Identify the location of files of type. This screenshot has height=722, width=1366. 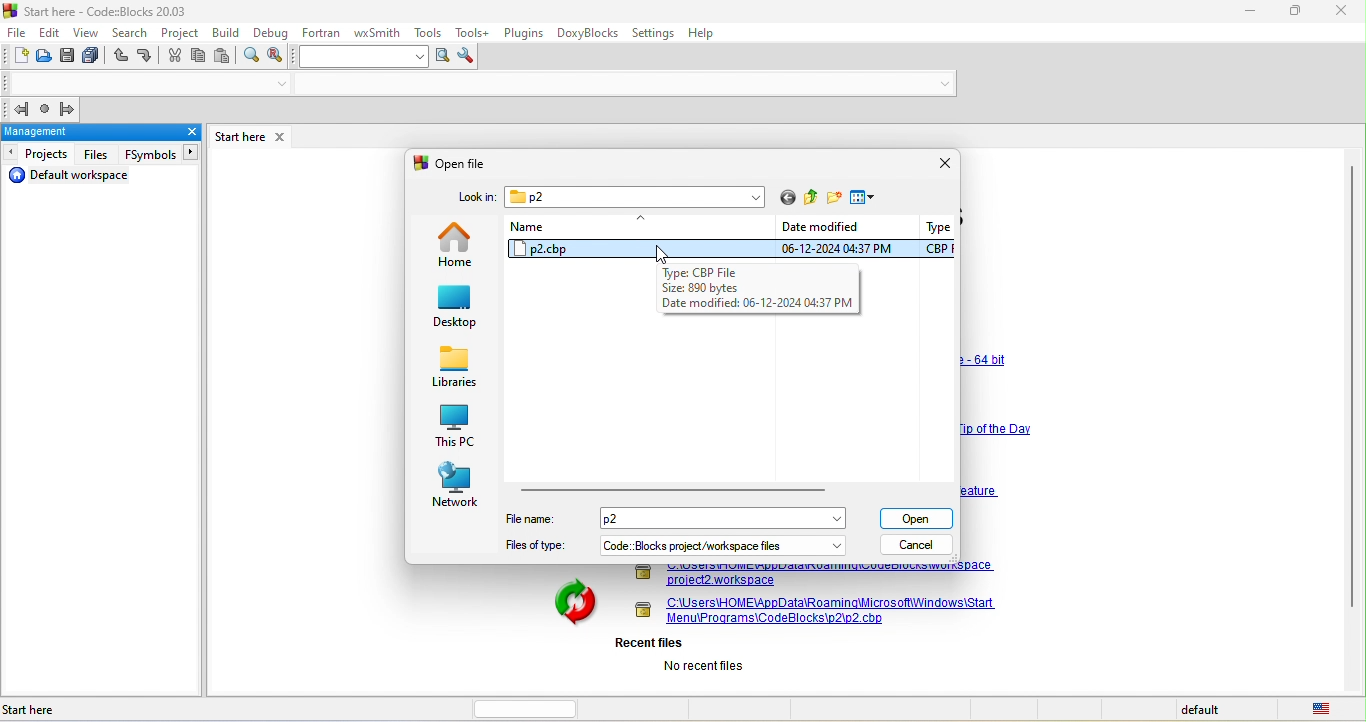
(645, 546).